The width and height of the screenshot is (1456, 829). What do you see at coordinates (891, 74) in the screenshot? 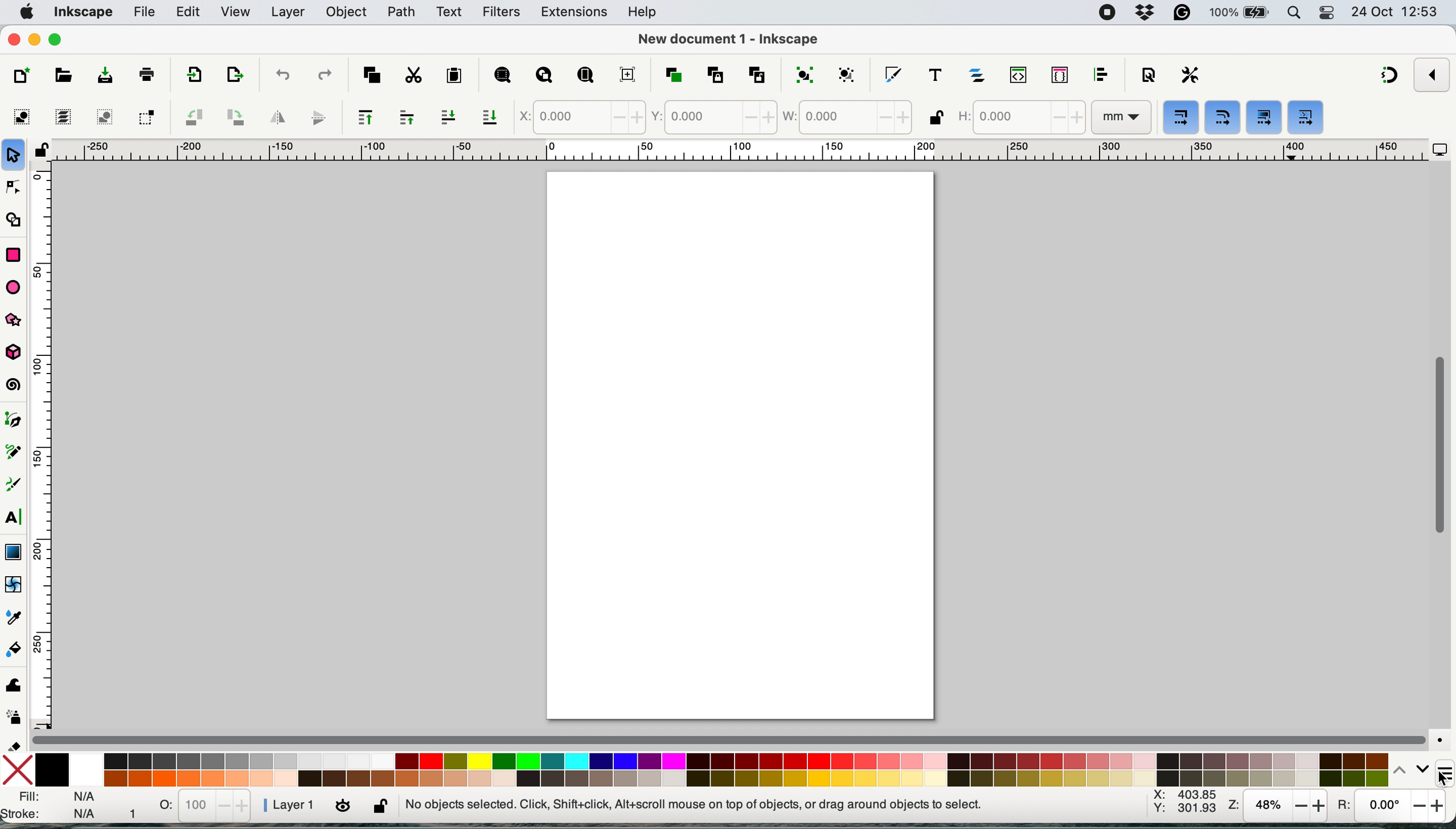
I see `fill and stroke` at bounding box center [891, 74].